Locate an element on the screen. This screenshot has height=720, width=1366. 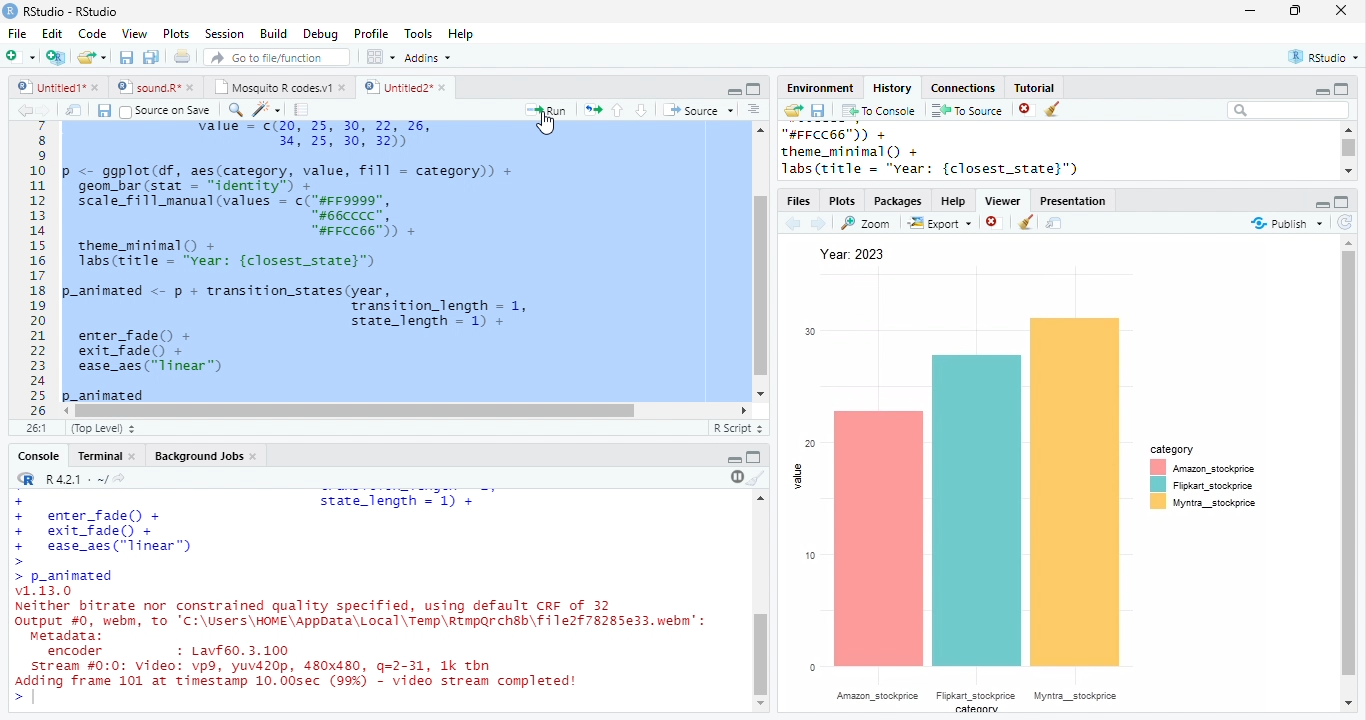
value is located at coordinates (794, 476).